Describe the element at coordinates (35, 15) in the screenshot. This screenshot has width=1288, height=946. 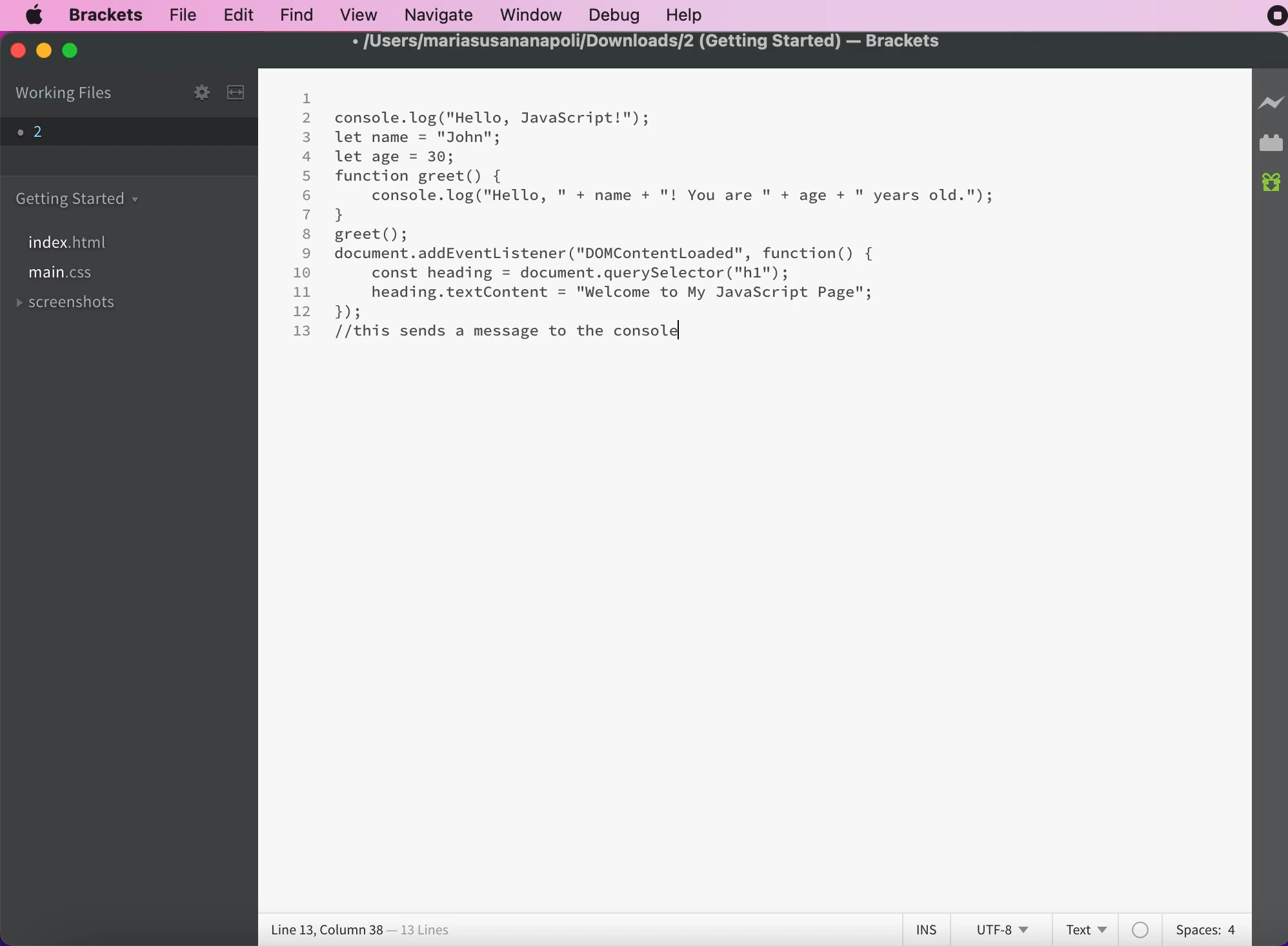
I see `mac logo` at that location.